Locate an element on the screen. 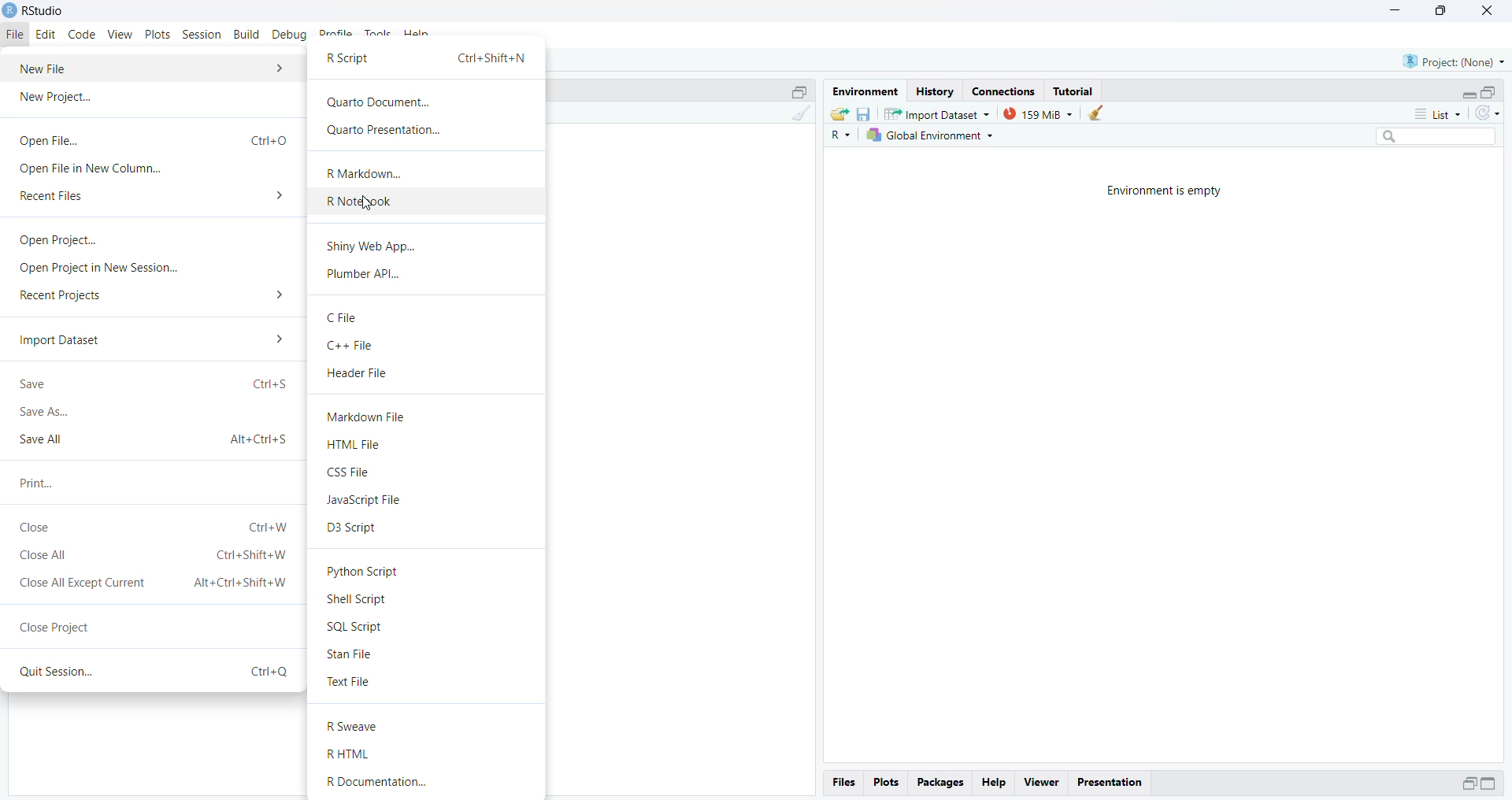  Open File... Ctrl+0 is located at coordinates (152, 139).